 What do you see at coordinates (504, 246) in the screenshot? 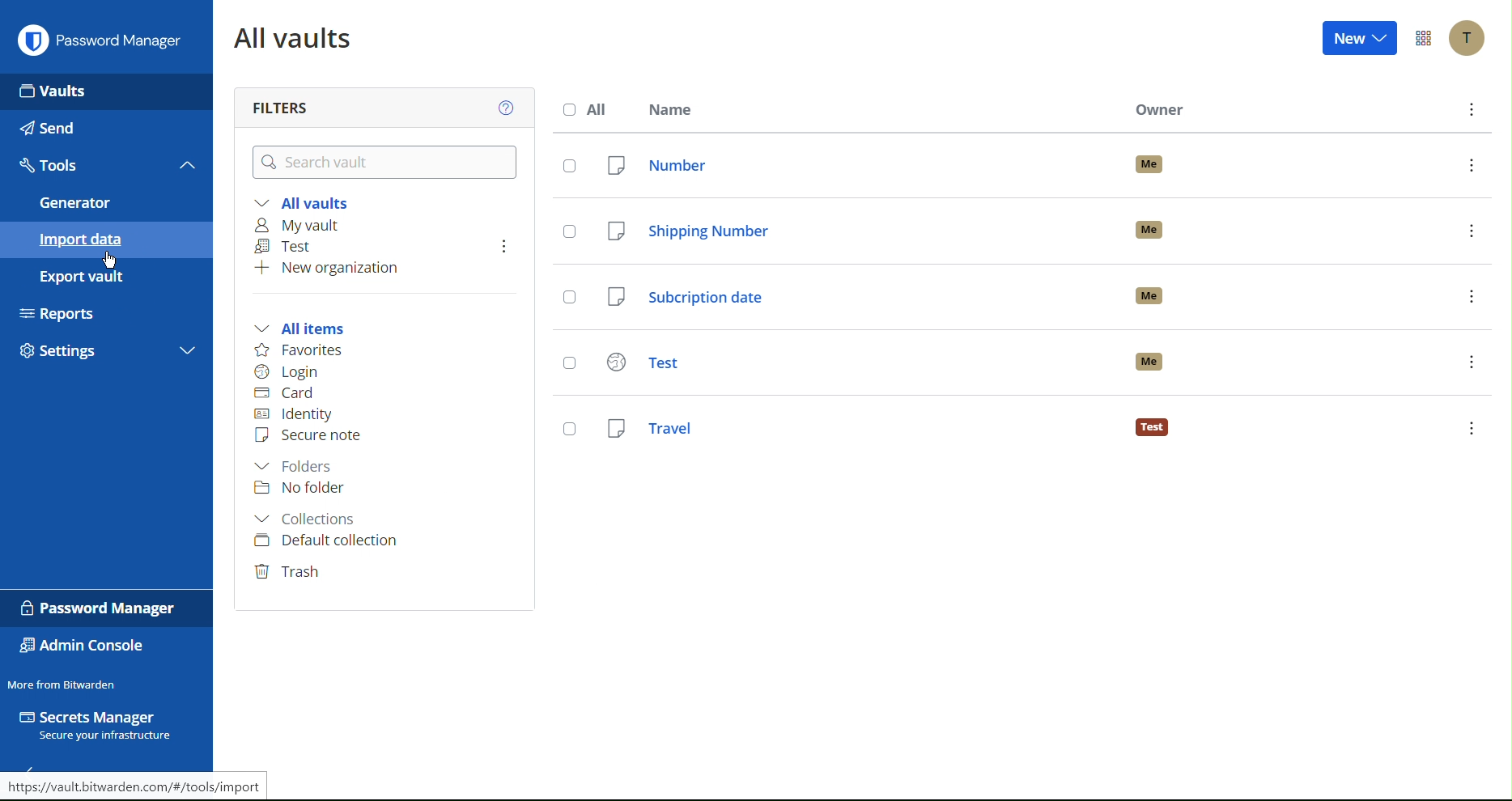
I see `options` at bounding box center [504, 246].